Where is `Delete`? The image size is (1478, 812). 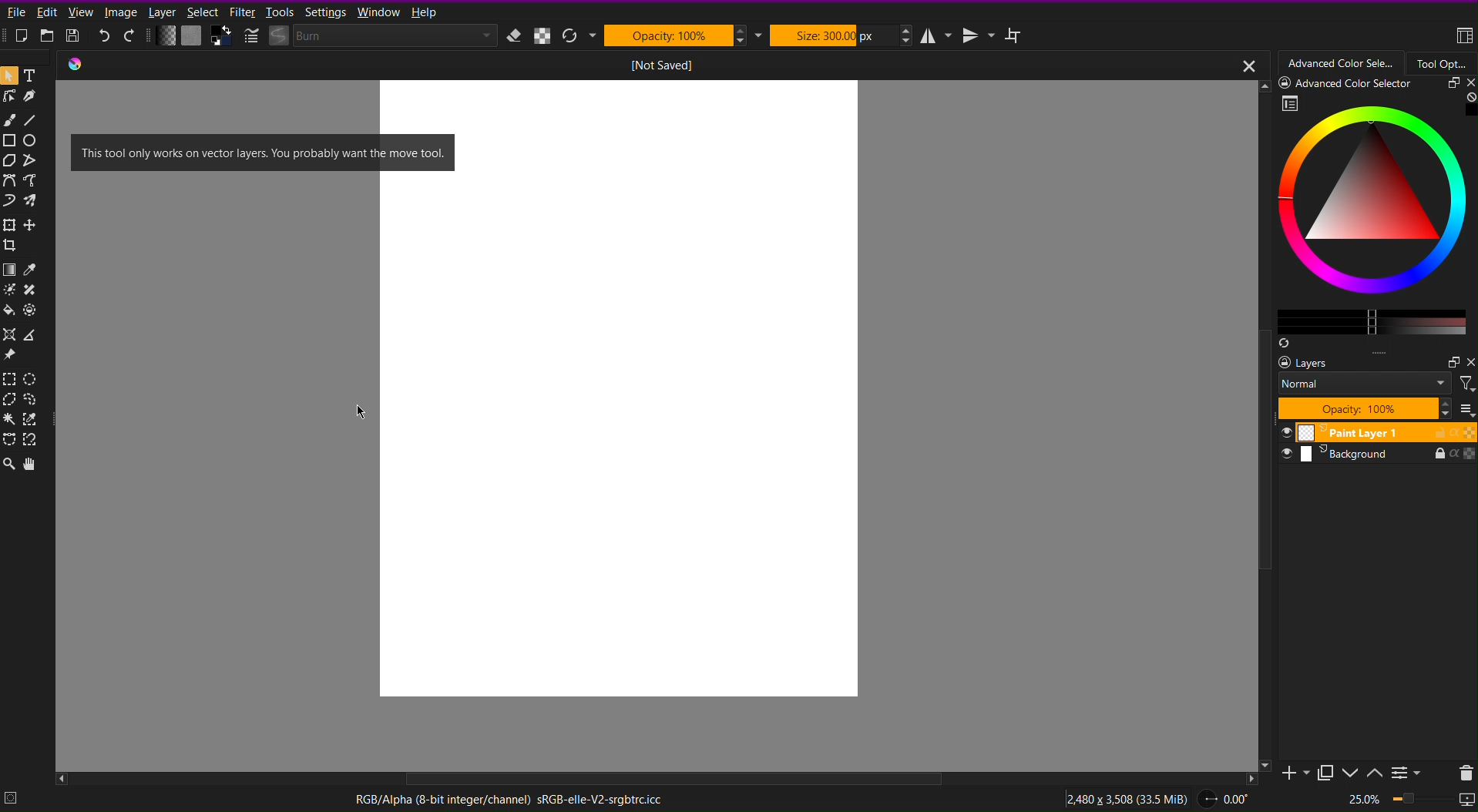
Delete is located at coordinates (1463, 771).